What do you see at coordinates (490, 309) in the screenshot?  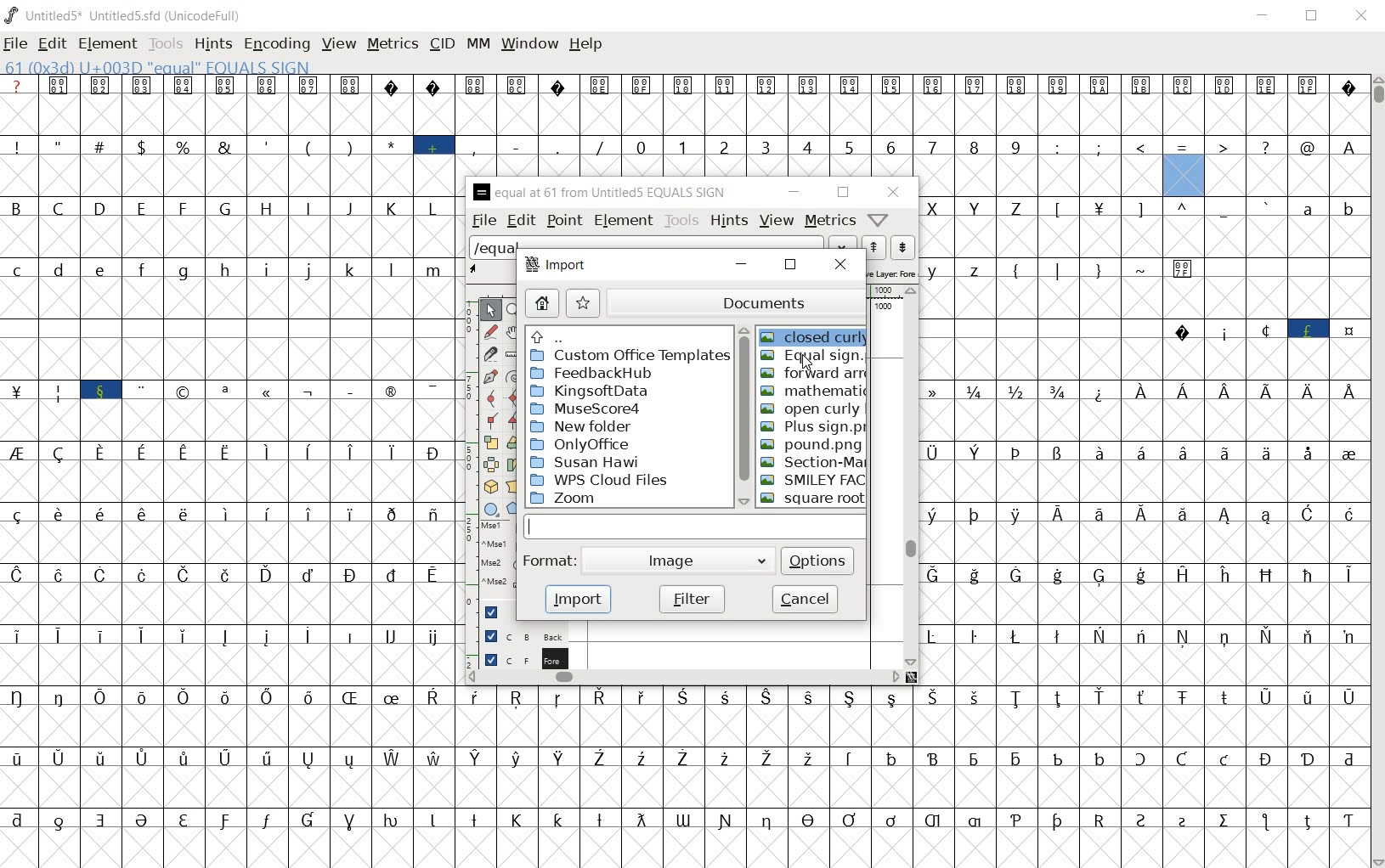 I see `POINTER` at bounding box center [490, 309].